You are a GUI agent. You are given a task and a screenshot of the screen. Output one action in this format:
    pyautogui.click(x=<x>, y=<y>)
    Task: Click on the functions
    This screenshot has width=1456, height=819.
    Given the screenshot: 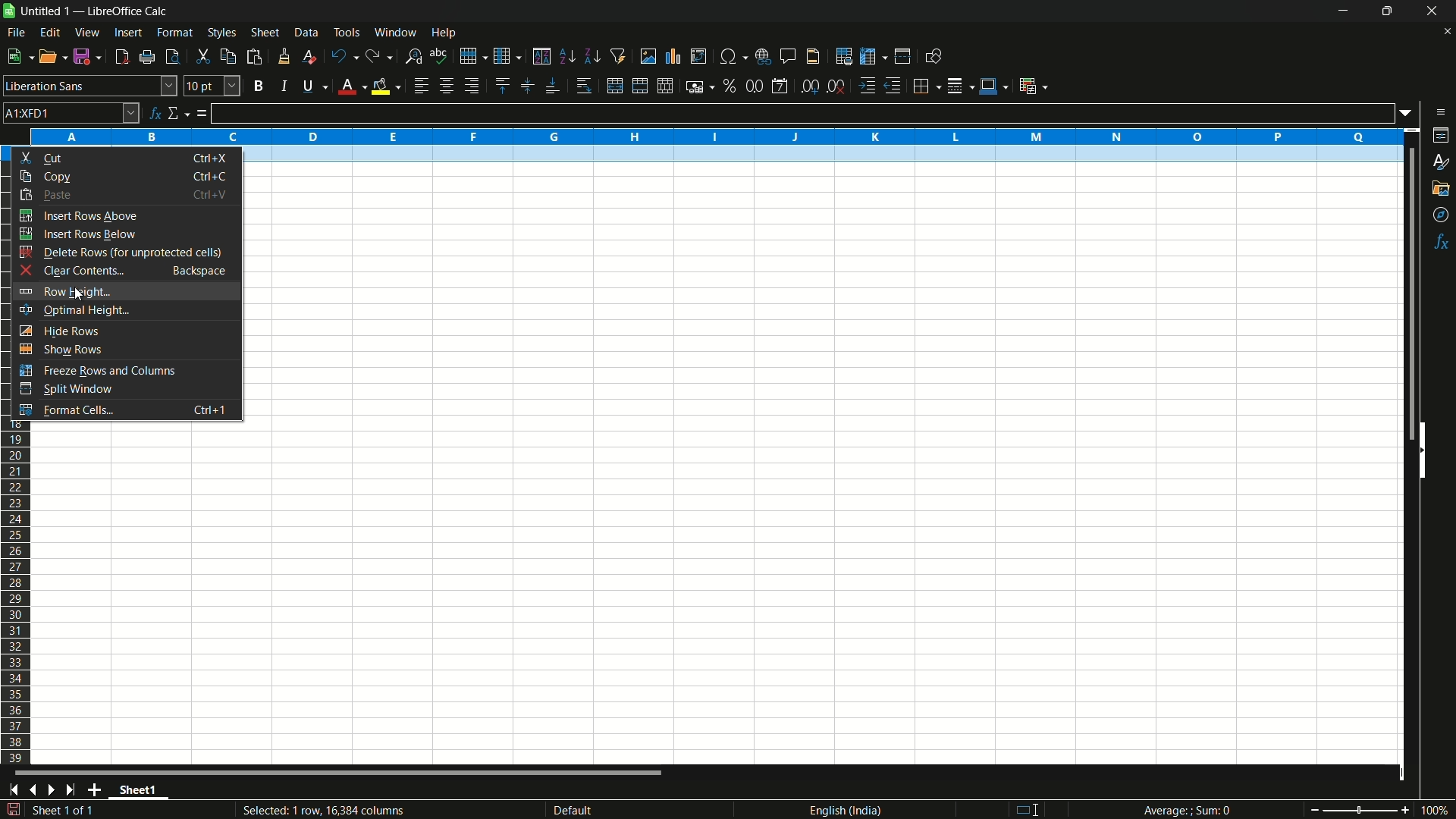 What is the action you would take?
    pyautogui.click(x=1442, y=242)
    